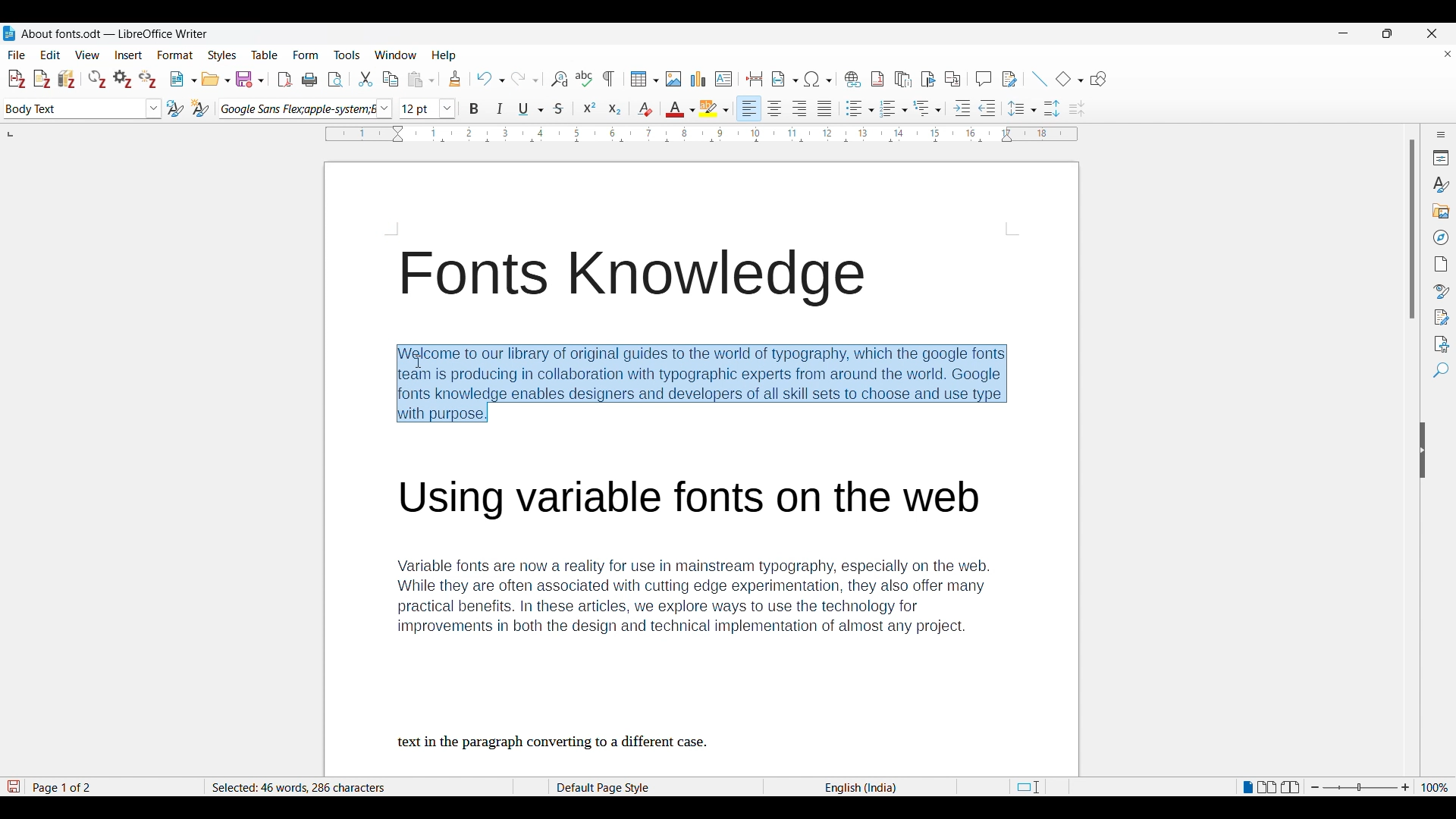 This screenshot has height=819, width=1456. I want to click on Sidebar settings, so click(1442, 134).